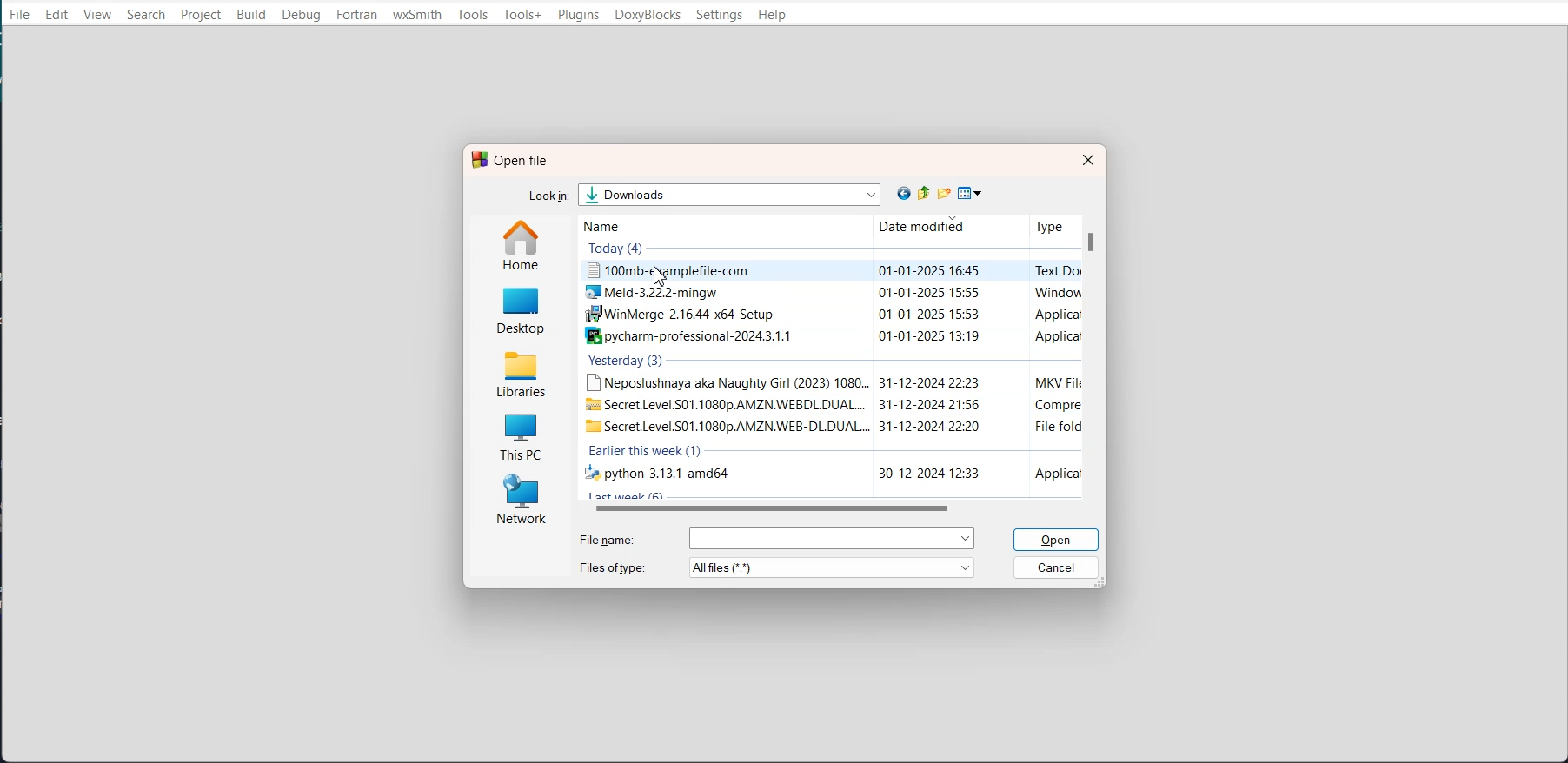 The image size is (1568, 763). I want to click on type, so click(1046, 225).